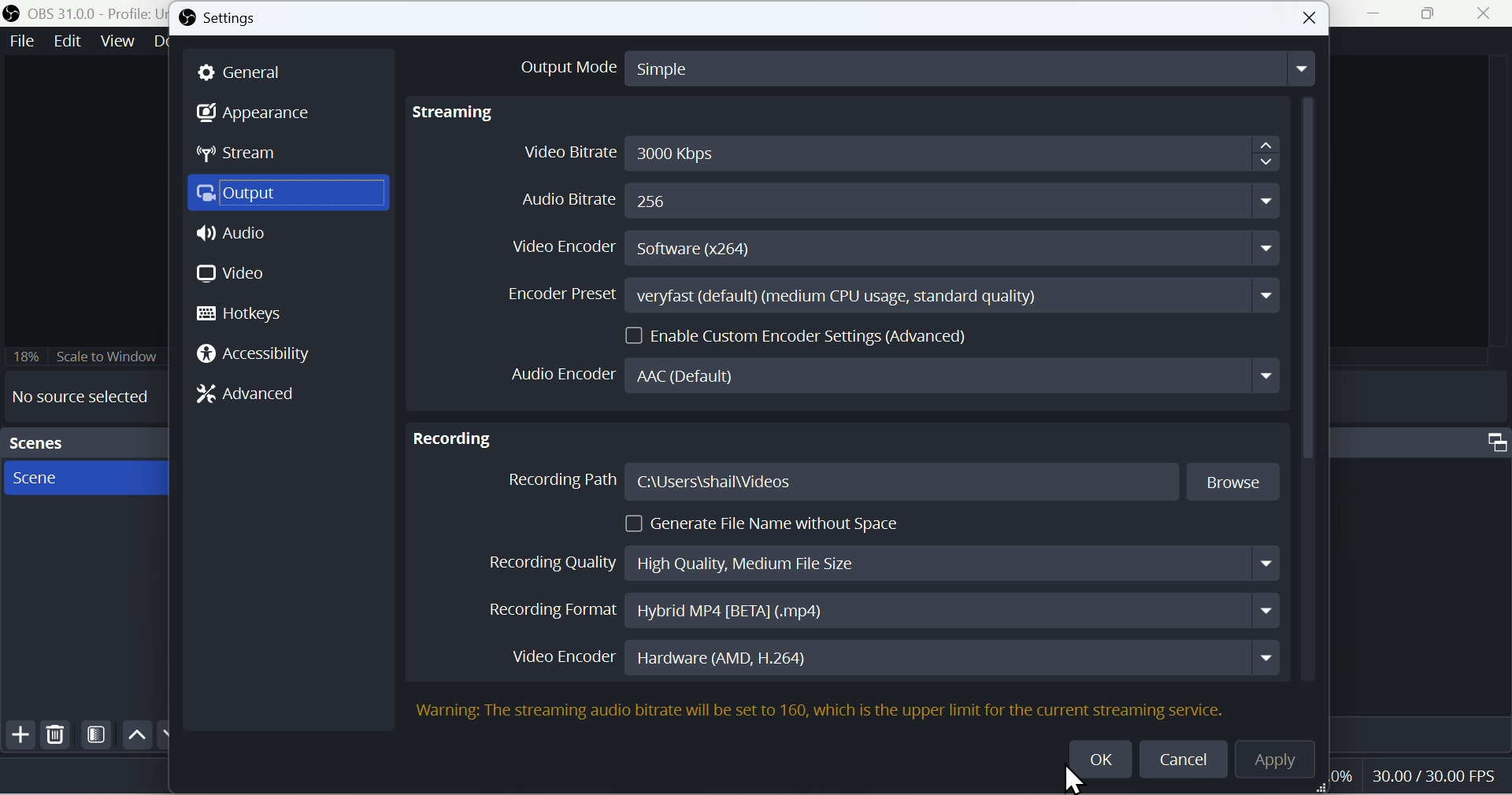 The width and height of the screenshot is (1512, 795). I want to click on Video Encoder, so click(897, 250).